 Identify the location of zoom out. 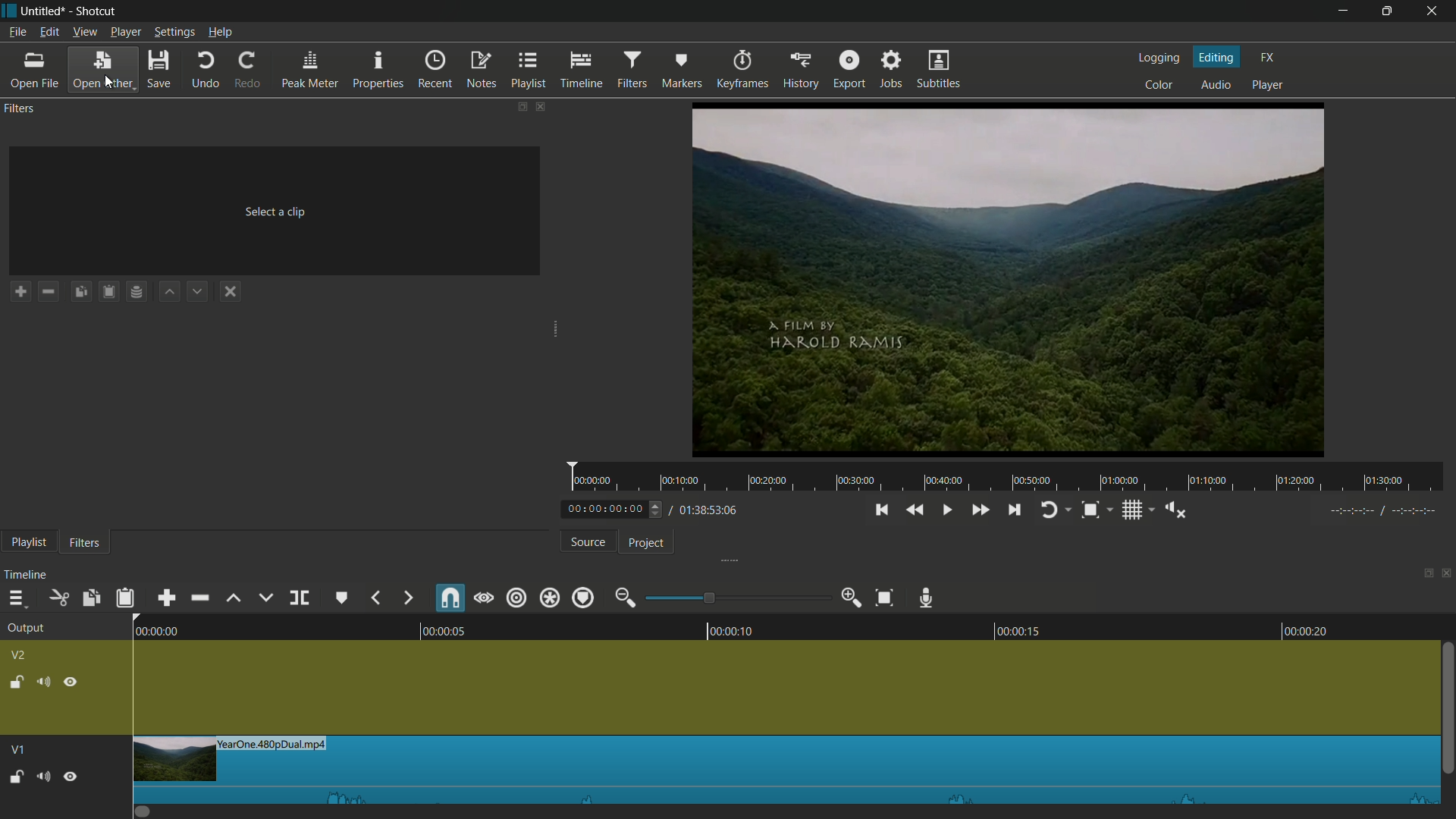
(624, 598).